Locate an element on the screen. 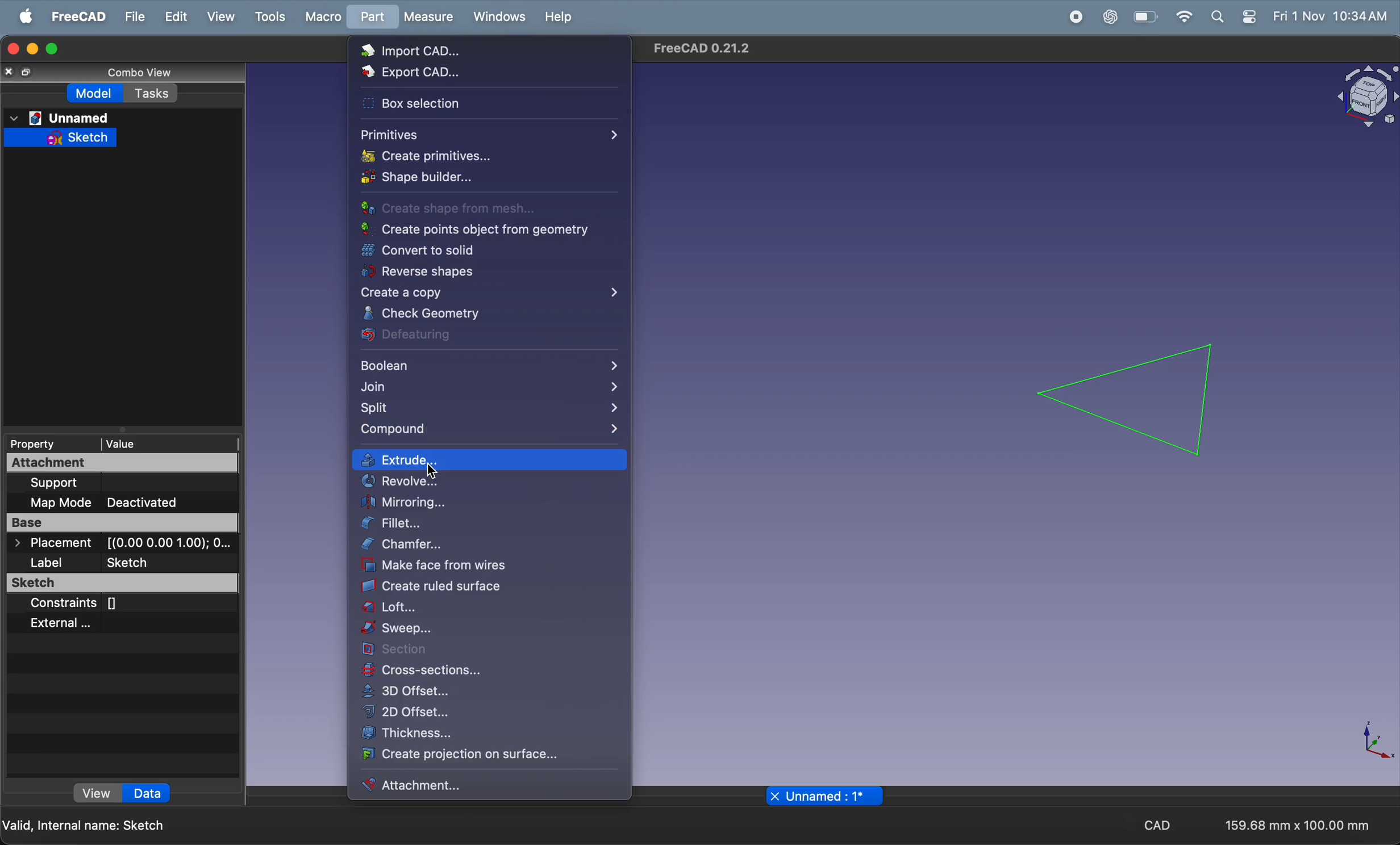  create project from surface is located at coordinates (464, 755).